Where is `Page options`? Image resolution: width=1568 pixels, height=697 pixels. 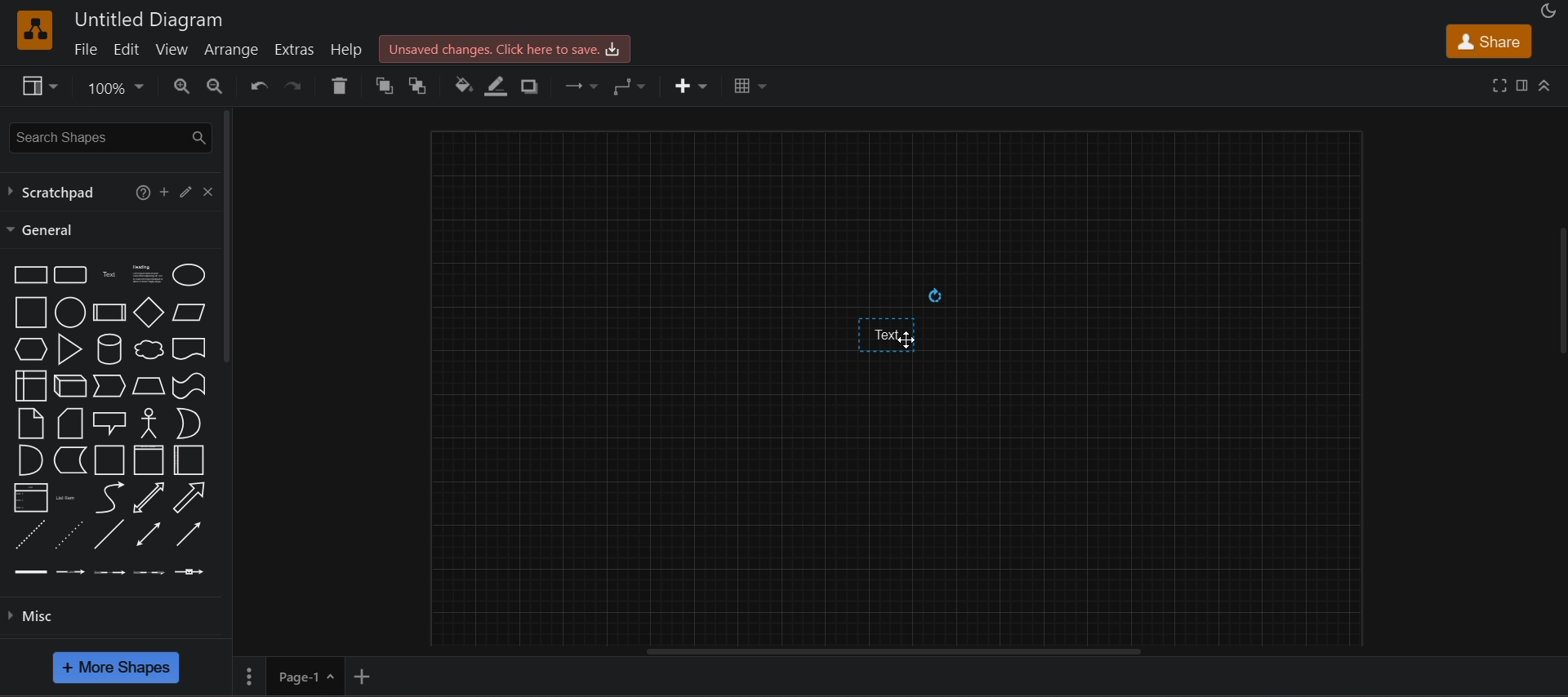
Page options is located at coordinates (329, 677).